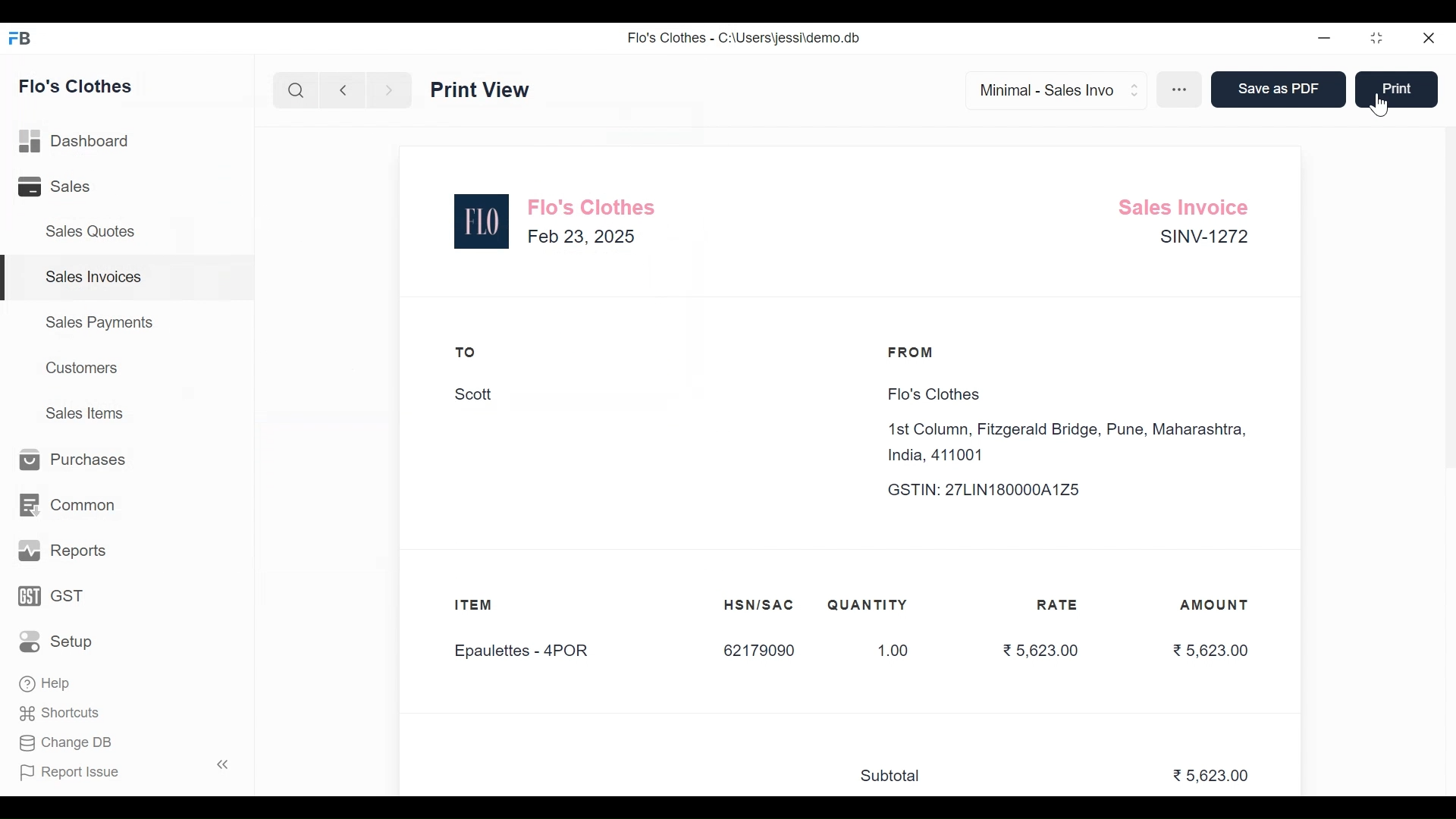 This screenshot has width=1456, height=819. Describe the element at coordinates (466, 352) in the screenshot. I see `TO` at that location.